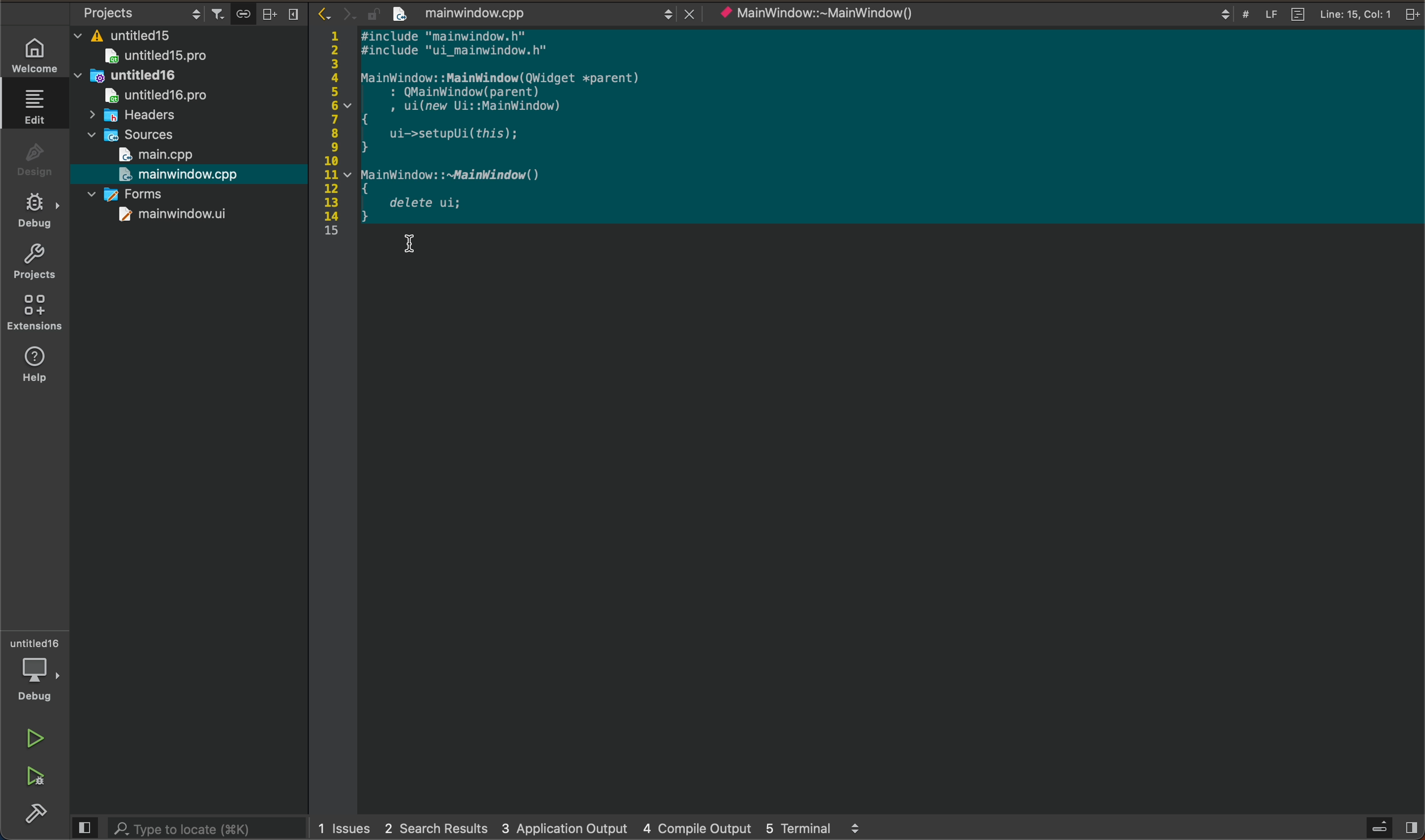 The width and height of the screenshot is (1425, 840). I want to click on mainwindow.ui, so click(161, 218).